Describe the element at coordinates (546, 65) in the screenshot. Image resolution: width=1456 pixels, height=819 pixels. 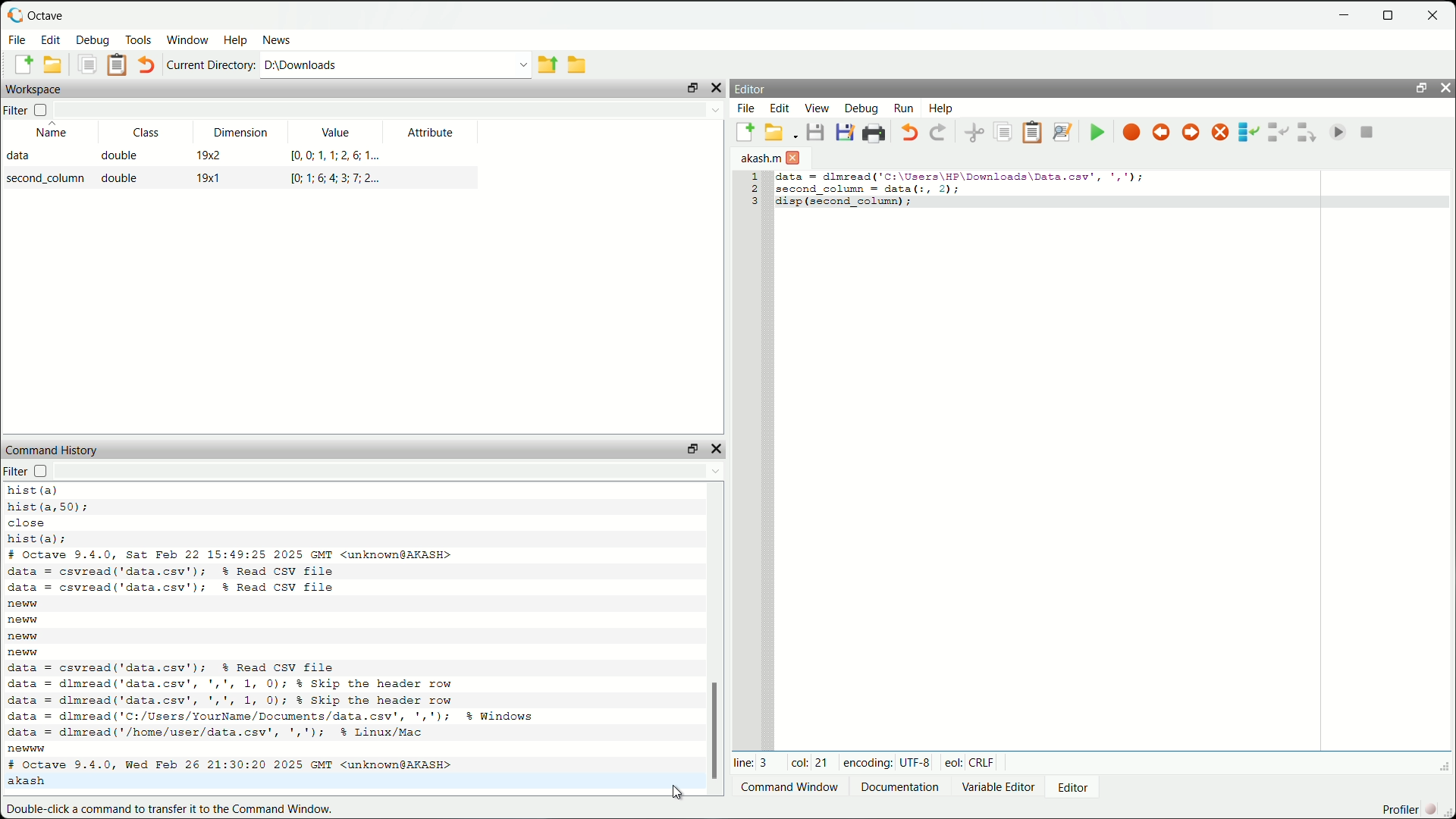
I see `one directory up` at that location.